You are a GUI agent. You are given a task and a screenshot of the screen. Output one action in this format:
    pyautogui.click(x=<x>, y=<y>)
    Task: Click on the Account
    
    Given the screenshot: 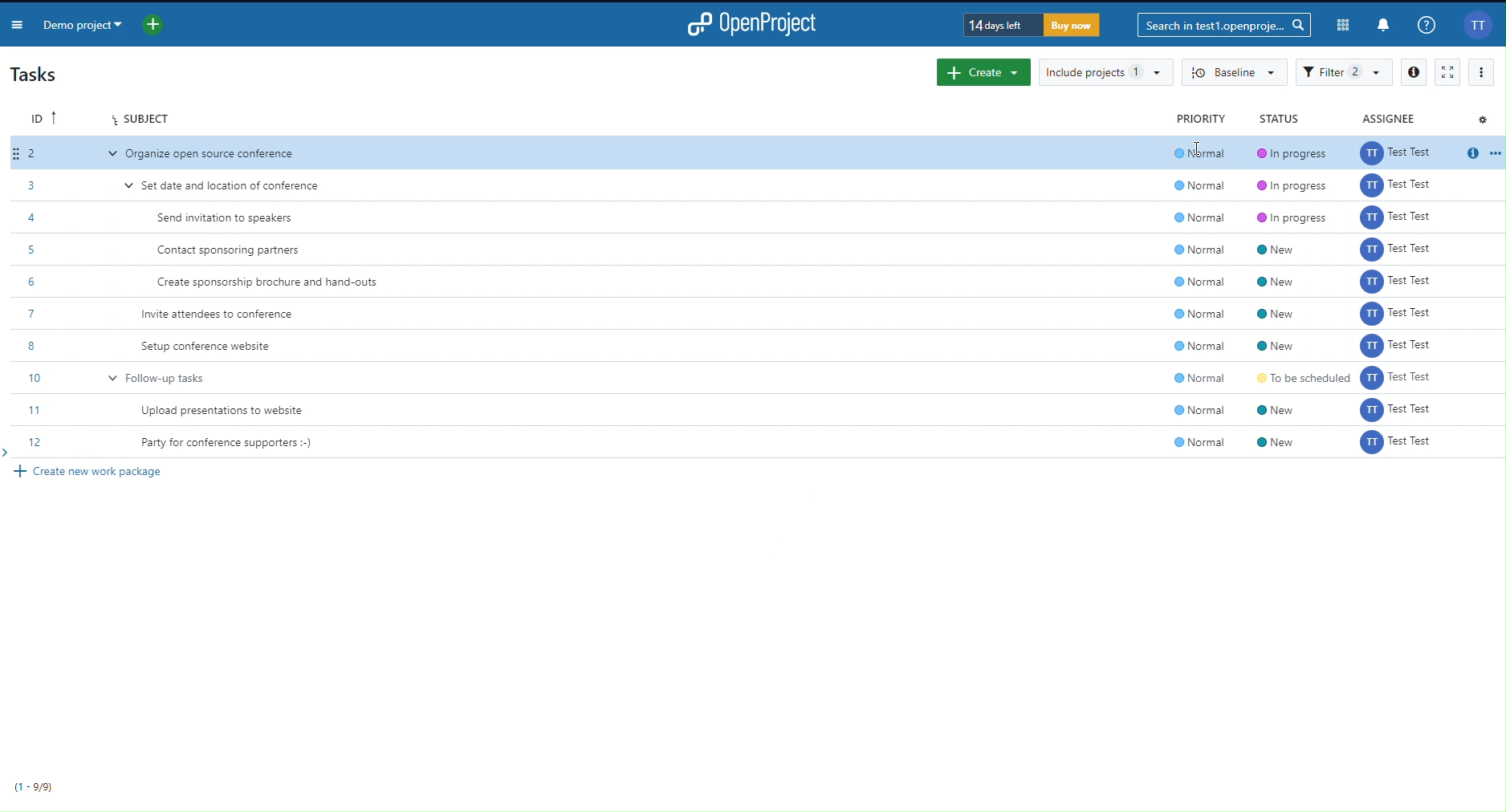 What is the action you would take?
    pyautogui.click(x=1479, y=26)
    